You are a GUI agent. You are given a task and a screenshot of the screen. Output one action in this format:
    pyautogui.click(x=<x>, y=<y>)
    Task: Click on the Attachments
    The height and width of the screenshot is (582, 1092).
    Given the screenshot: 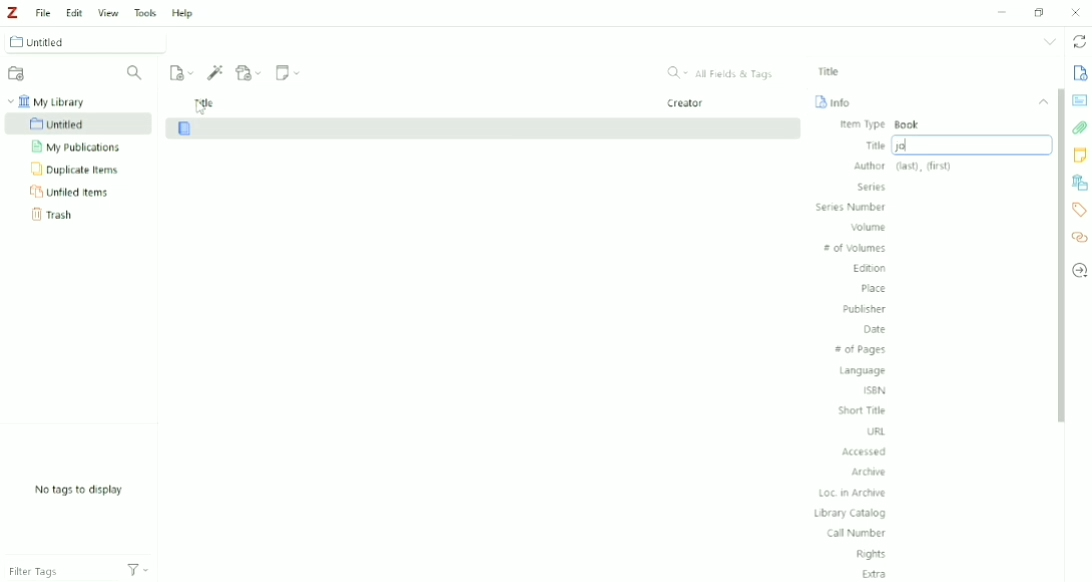 What is the action you would take?
    pyautogui.click(x=1080, y=128)
    